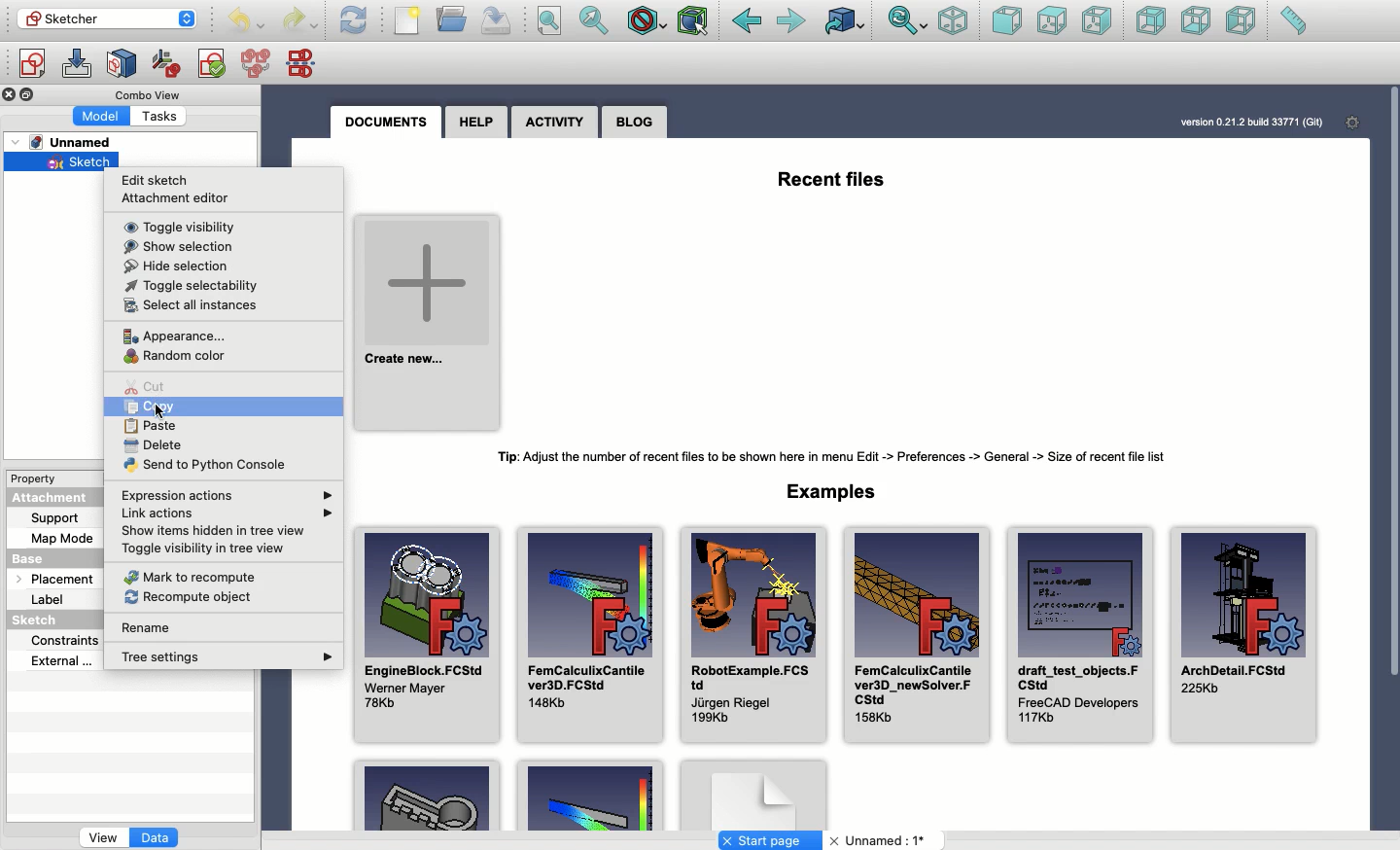  What do you see at coordinates (747, 21) in the screenshot?
I see `Back` at bounding box center [747, 21].